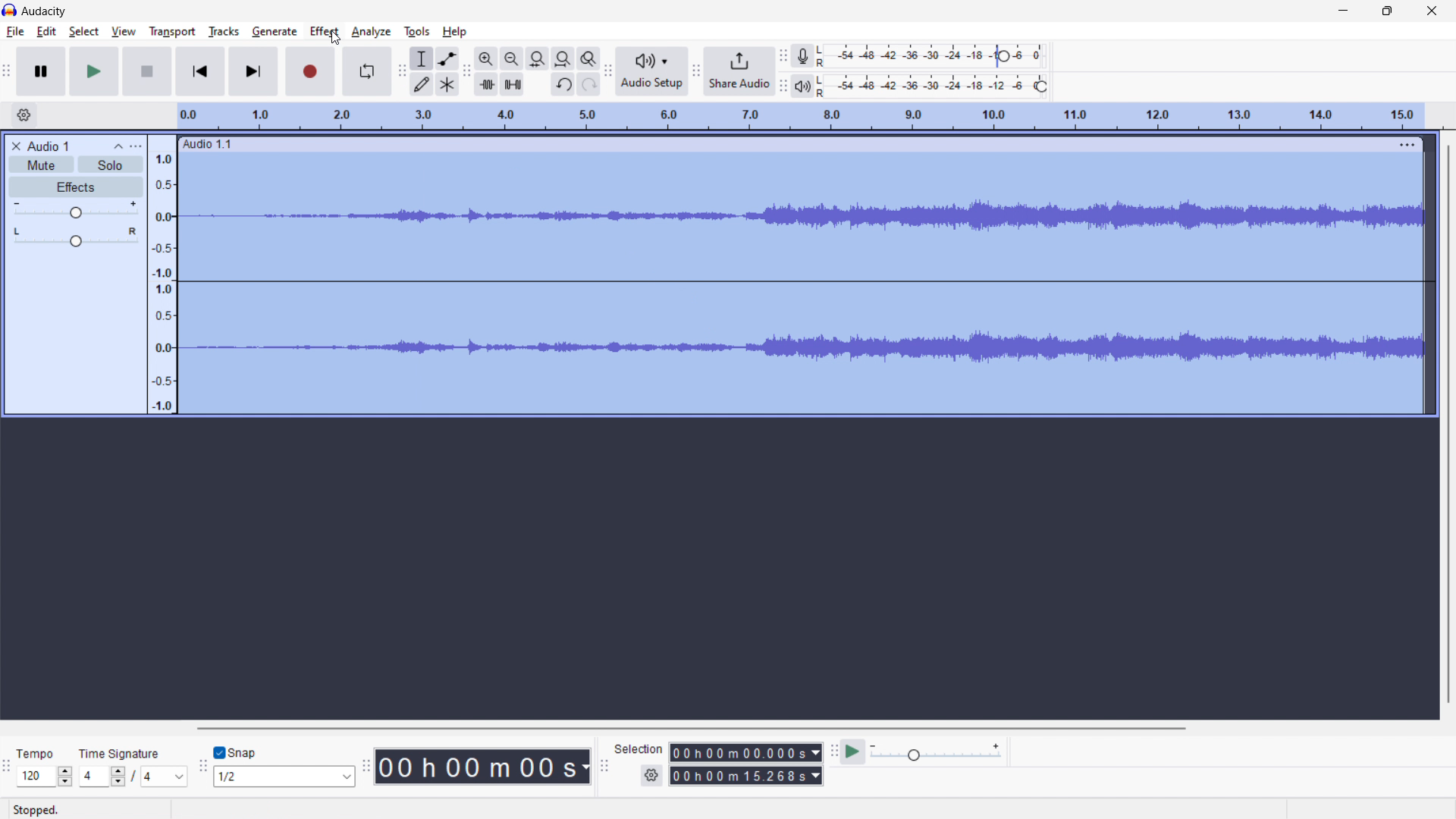  What do you see at coordinates (422, 58) in the screenshot?
I see `selection tool` at bounding box center [422, 58].